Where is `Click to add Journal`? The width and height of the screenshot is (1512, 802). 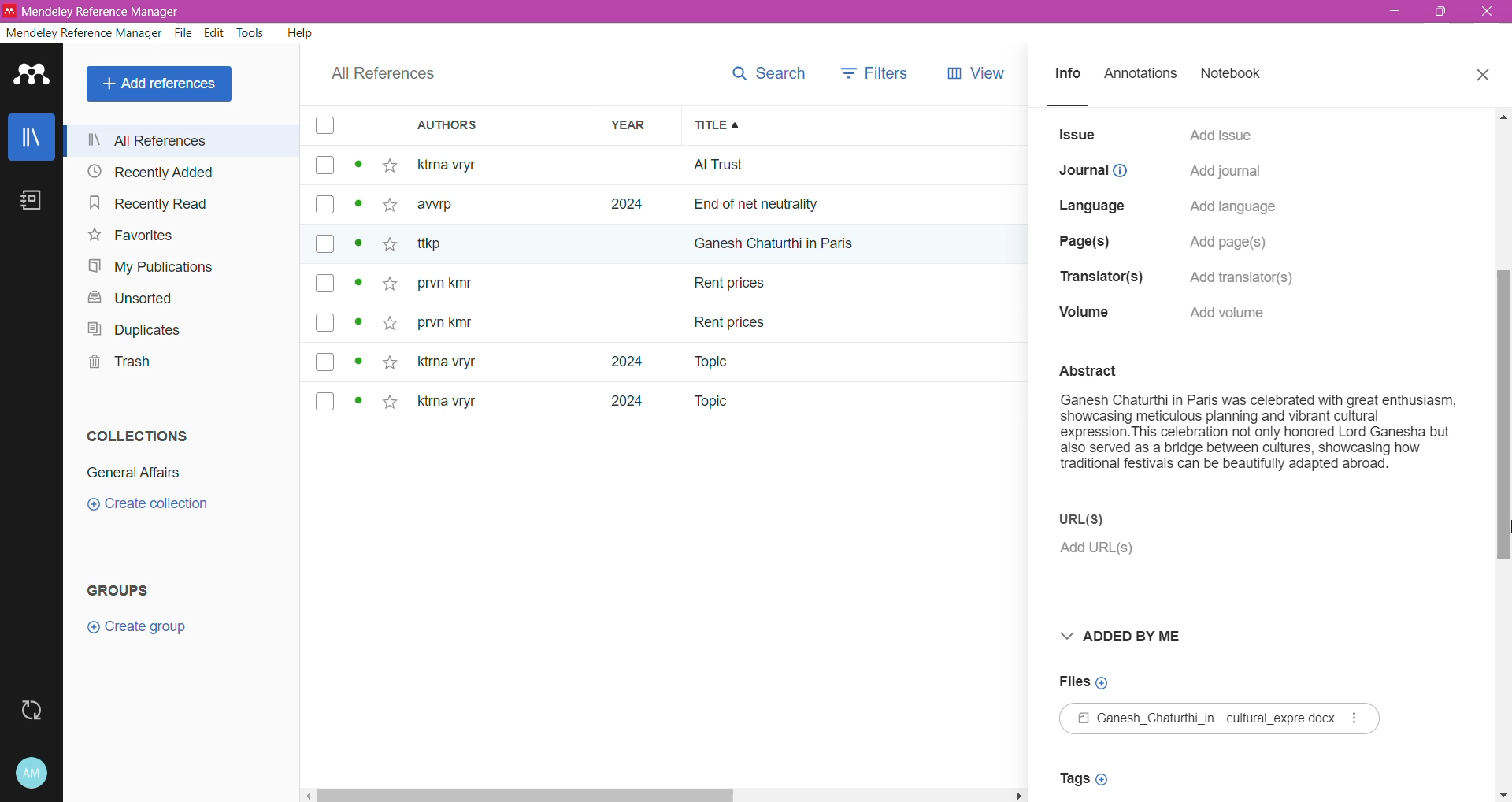 Click to add Journal is located at coordinates (1224, 173).